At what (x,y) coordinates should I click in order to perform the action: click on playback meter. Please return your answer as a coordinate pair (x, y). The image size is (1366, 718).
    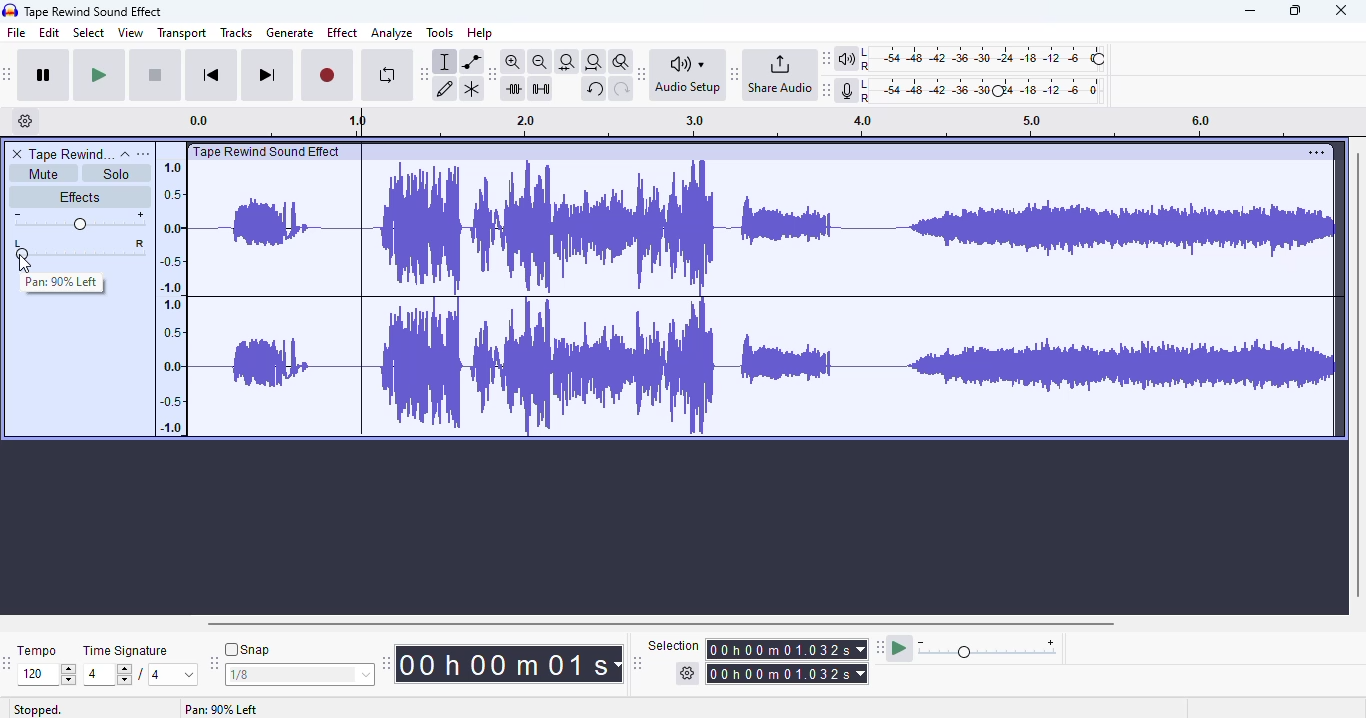
    Looking at the image, I should click on (973, 59).